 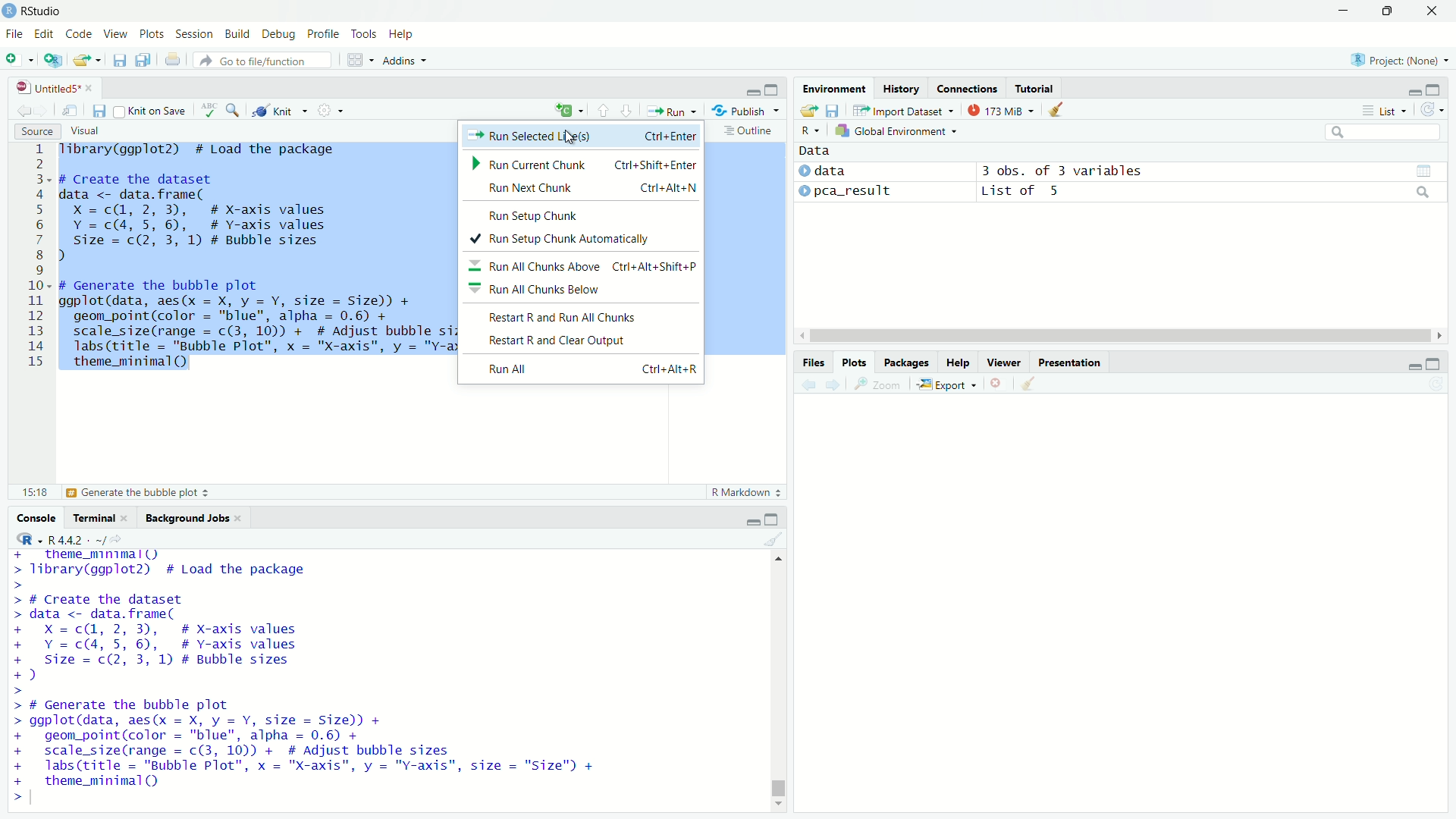 What do you see at coordinates (569, 137) in the screenshot?
I see `cursor` at bounding box center [569, 137].